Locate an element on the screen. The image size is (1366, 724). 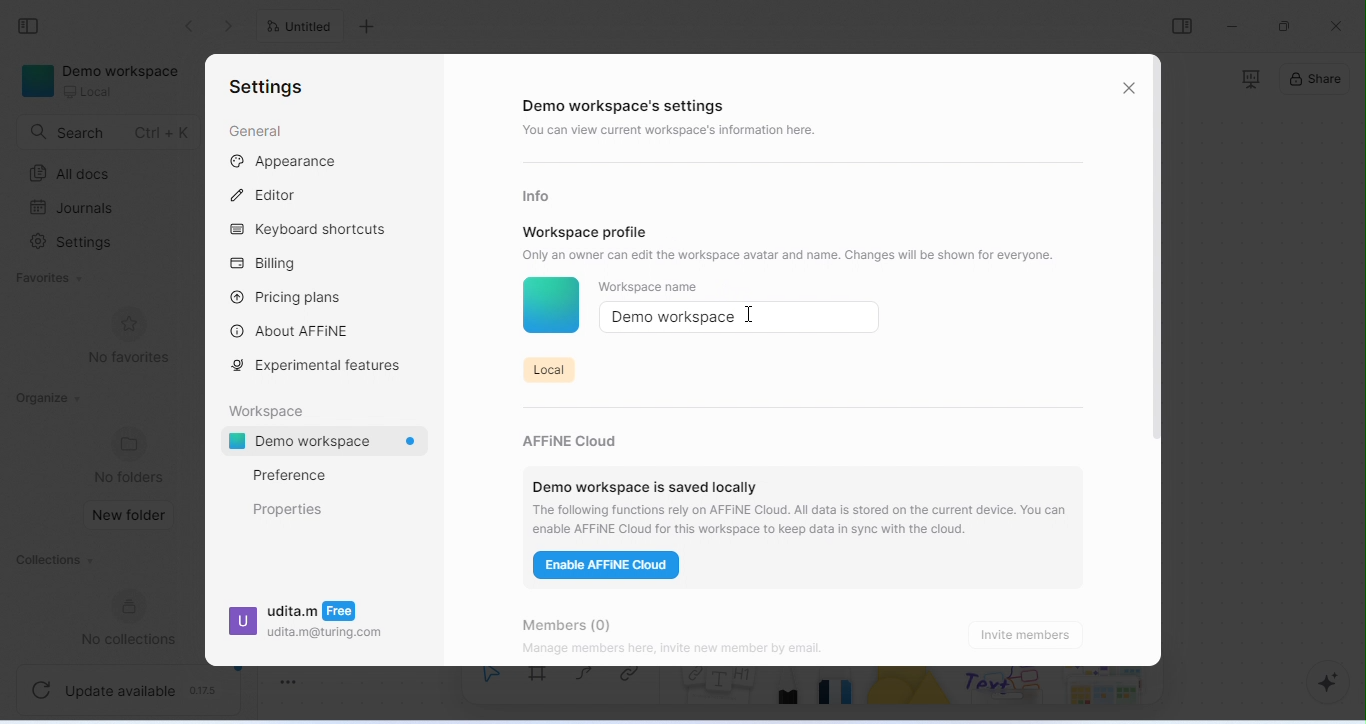
experimental features is located at coordinates (321, 366).